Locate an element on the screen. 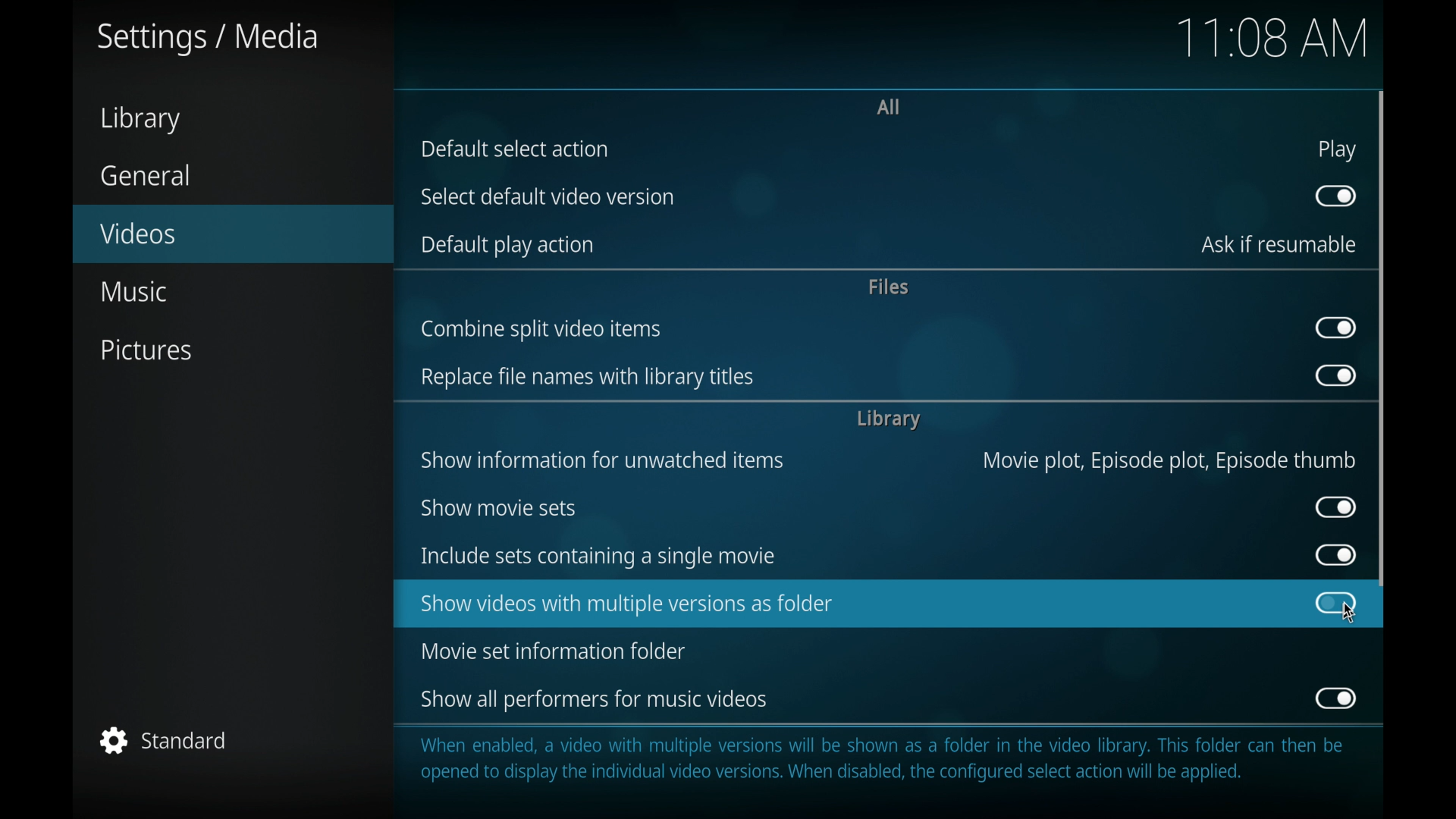  include sets containing a single movie is located at coordinates (596, 557).